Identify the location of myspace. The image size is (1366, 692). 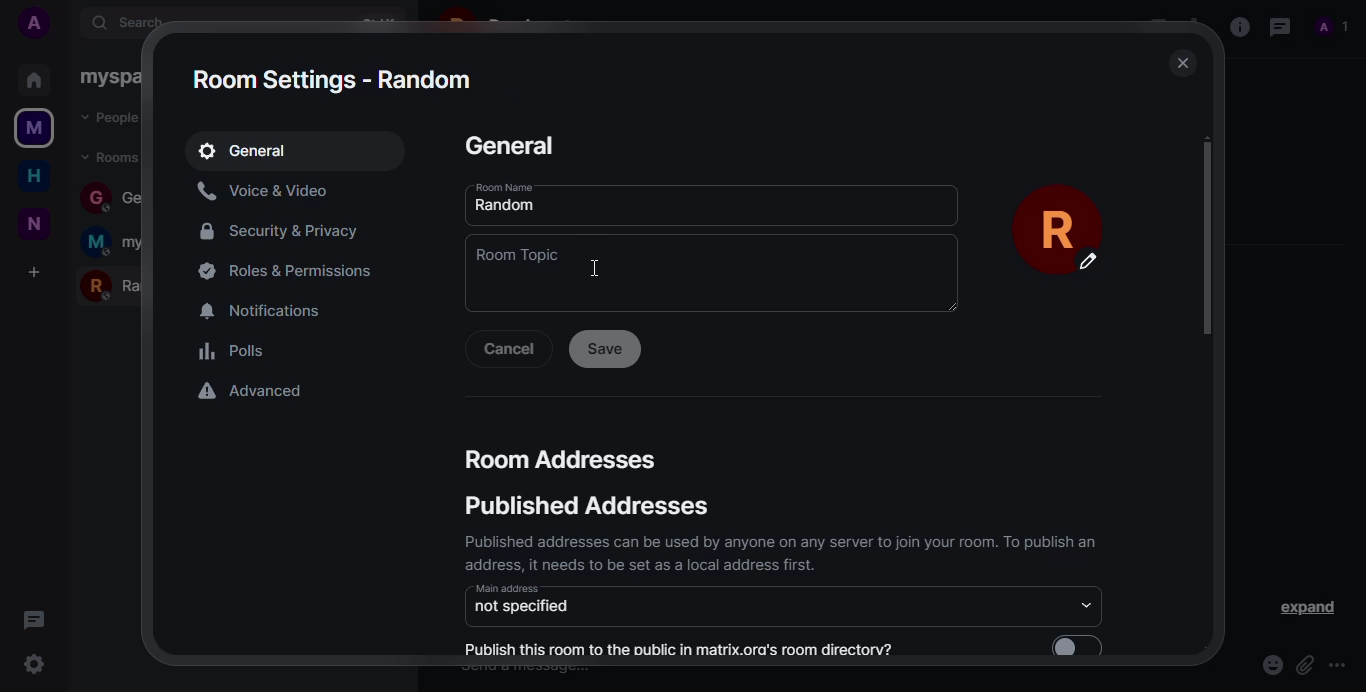
(122, 243).